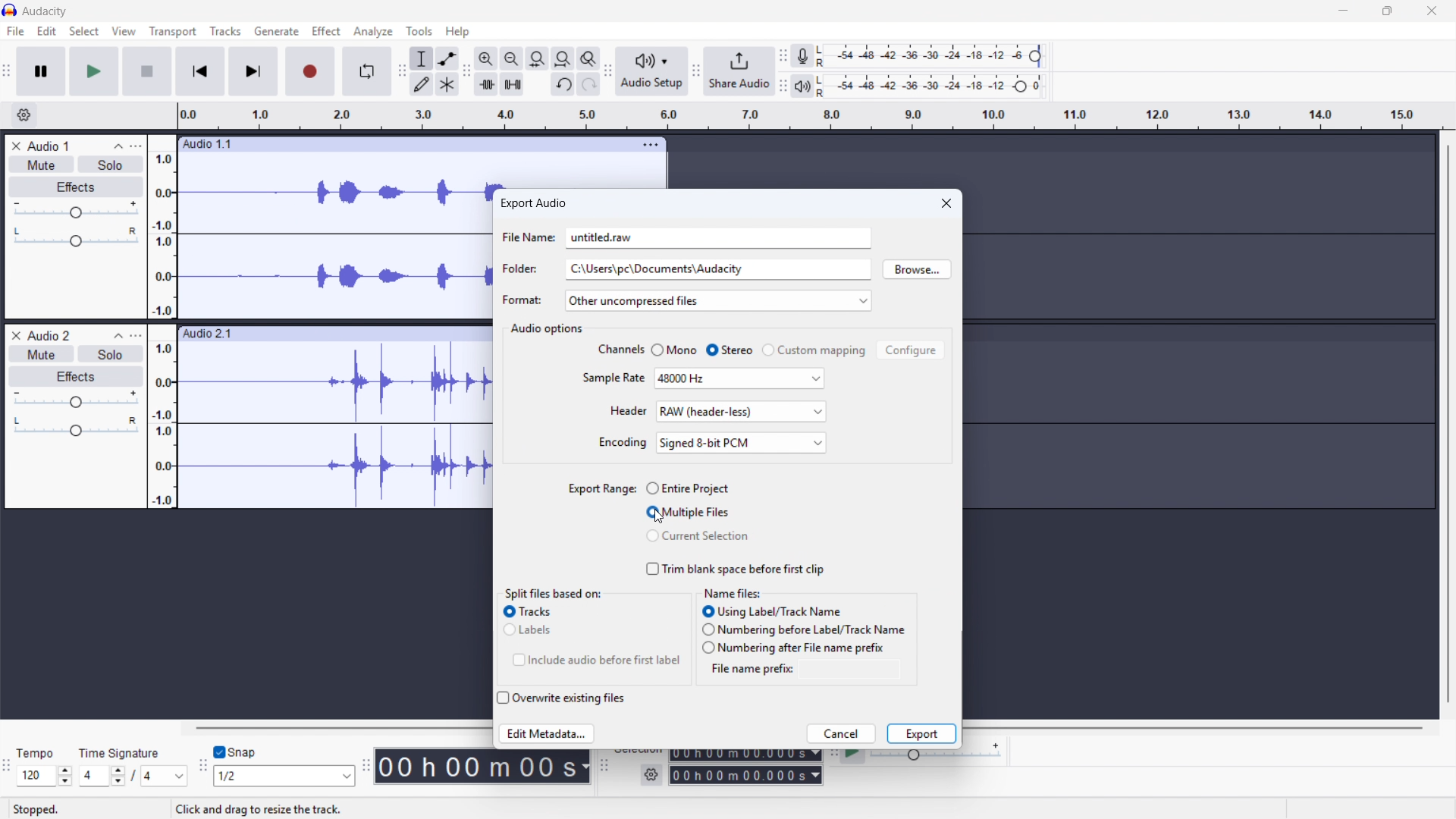 This screenshot has width=1456, height=819. Describe the element at coordinates (522, 269) in the screenshot. I see `folder` at that location.